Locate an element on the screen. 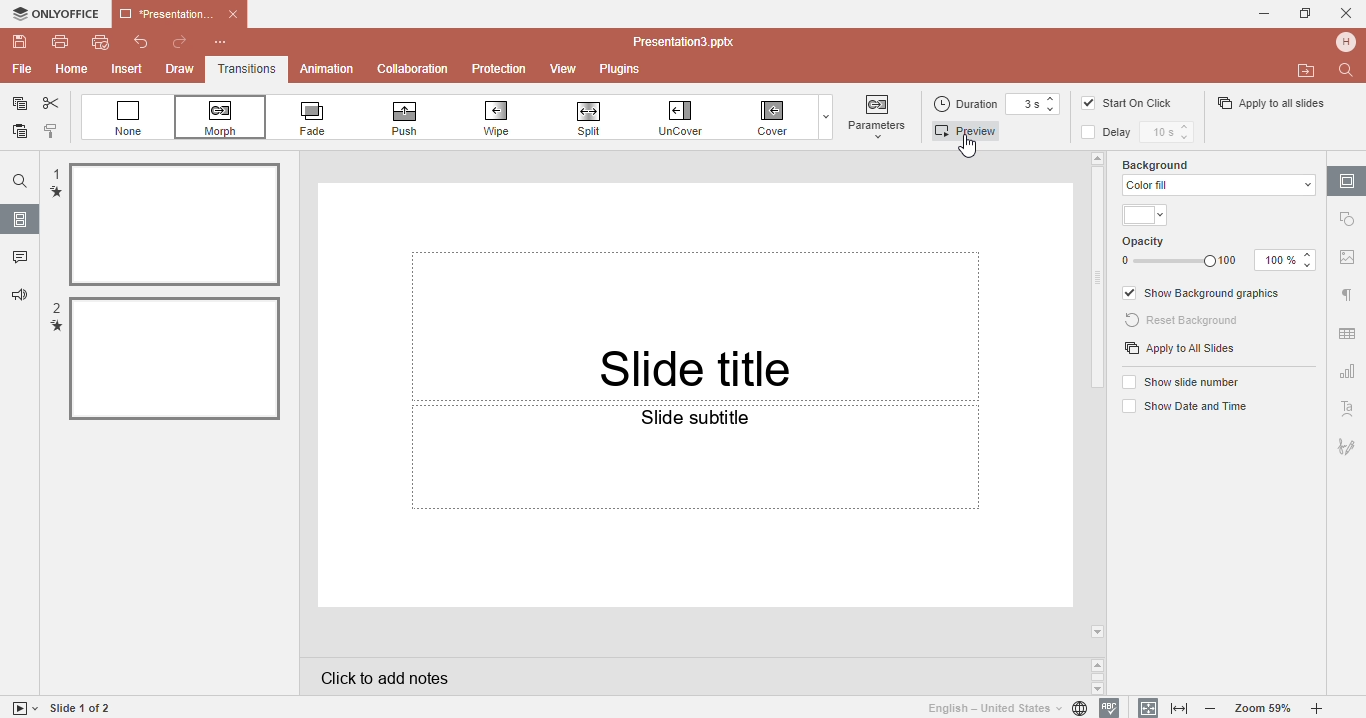 Image resolution: width=1366 pixels, height=718 pixels. View is located at coordinates (566, 70).